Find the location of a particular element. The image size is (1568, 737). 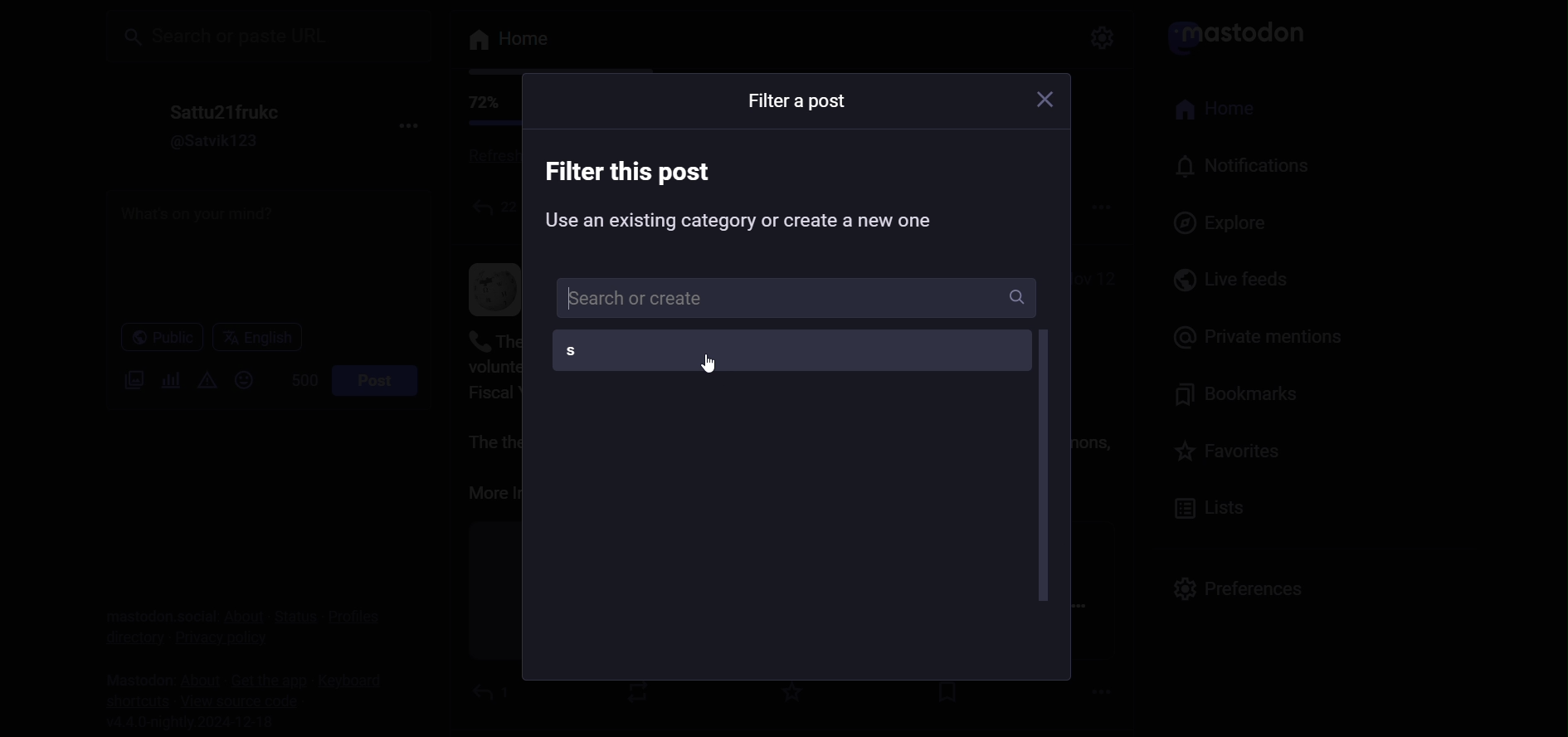

filter name is located at coordinates (782, 352).